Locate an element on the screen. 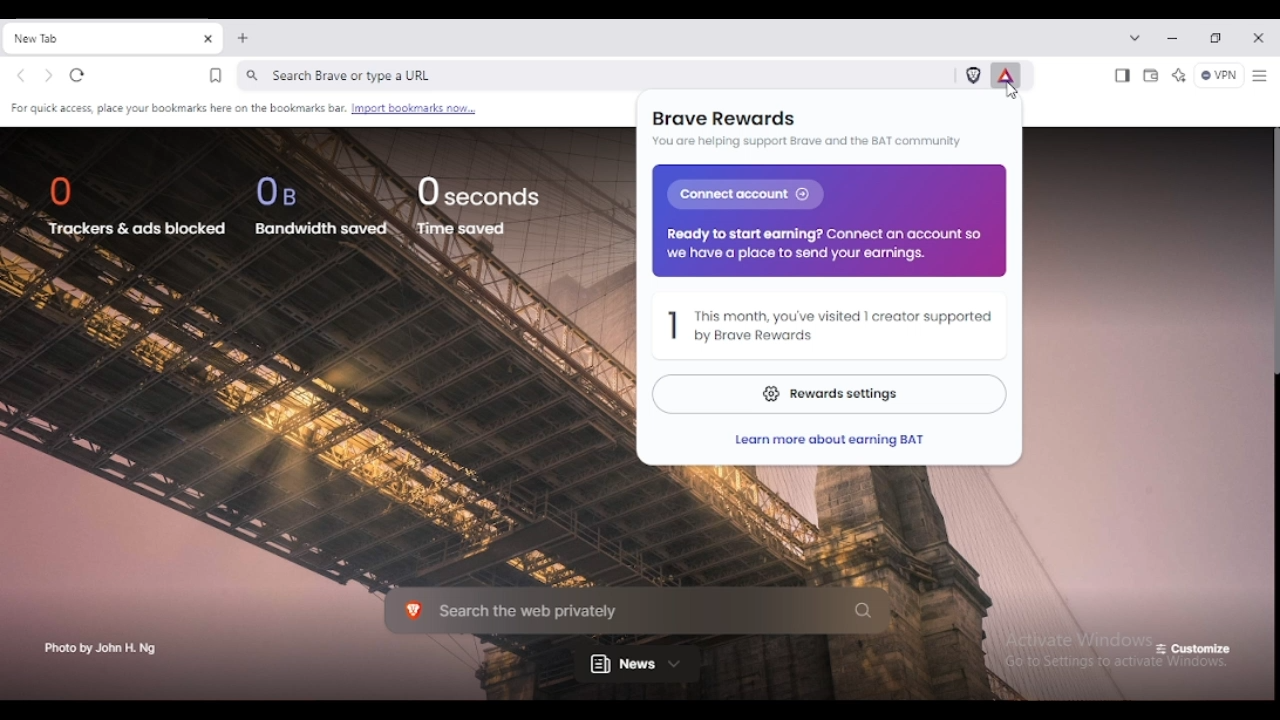  wallet is located at coordinates (1151, 77).